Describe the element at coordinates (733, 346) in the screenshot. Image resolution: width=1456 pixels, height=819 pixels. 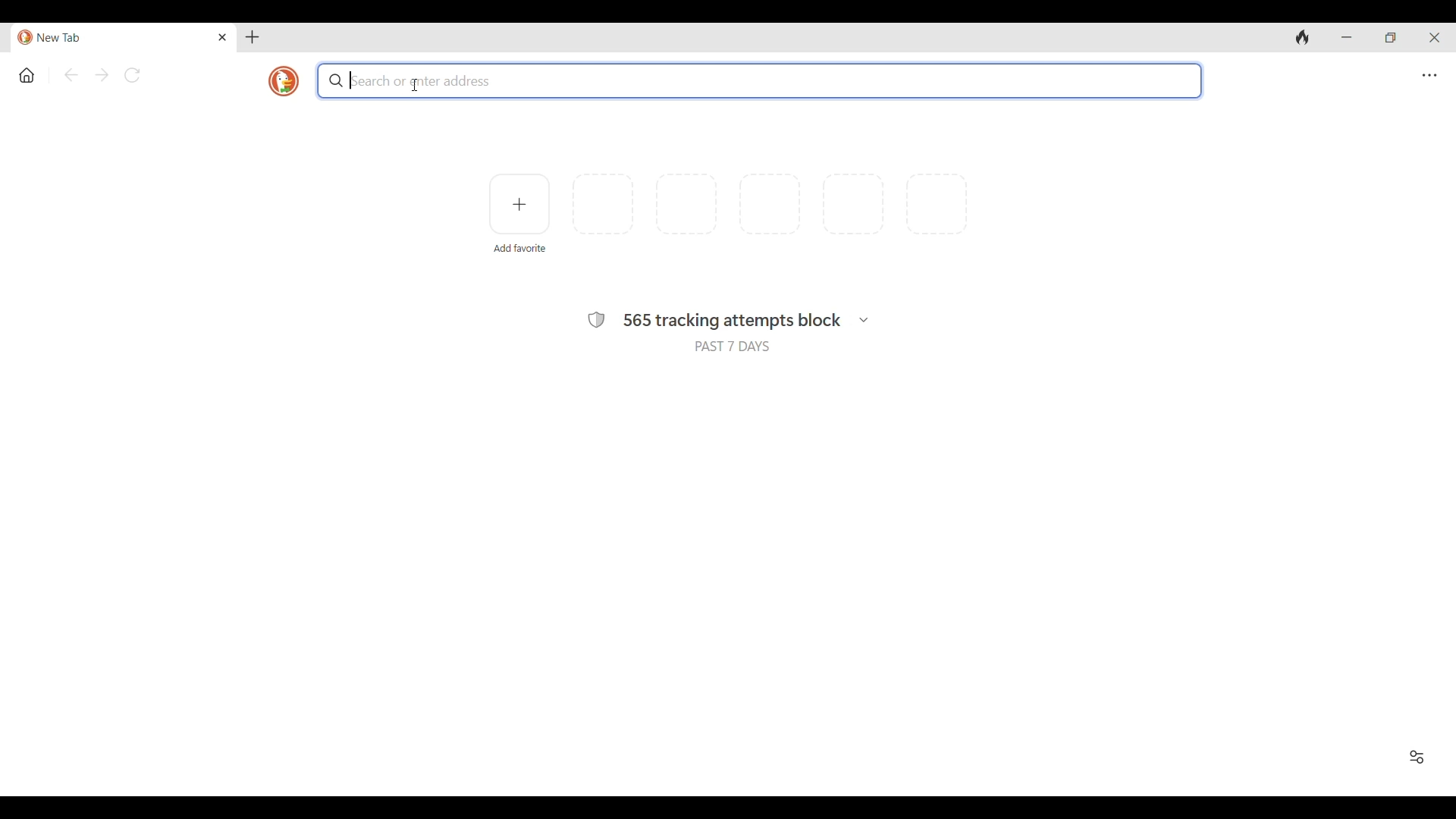
I see `PAST 7 DAYS` at that location.